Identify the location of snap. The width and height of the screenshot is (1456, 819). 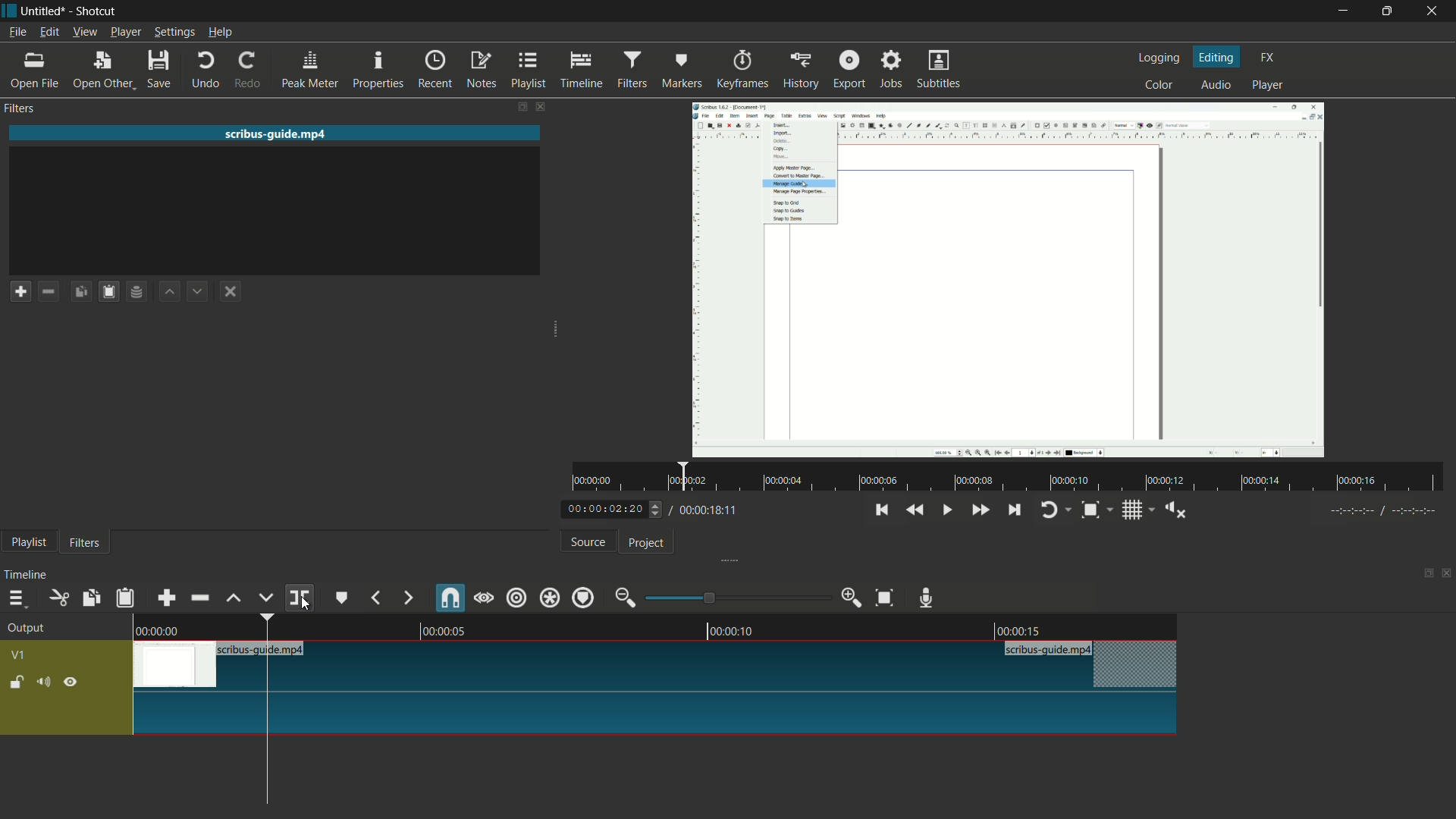
(450, 598).